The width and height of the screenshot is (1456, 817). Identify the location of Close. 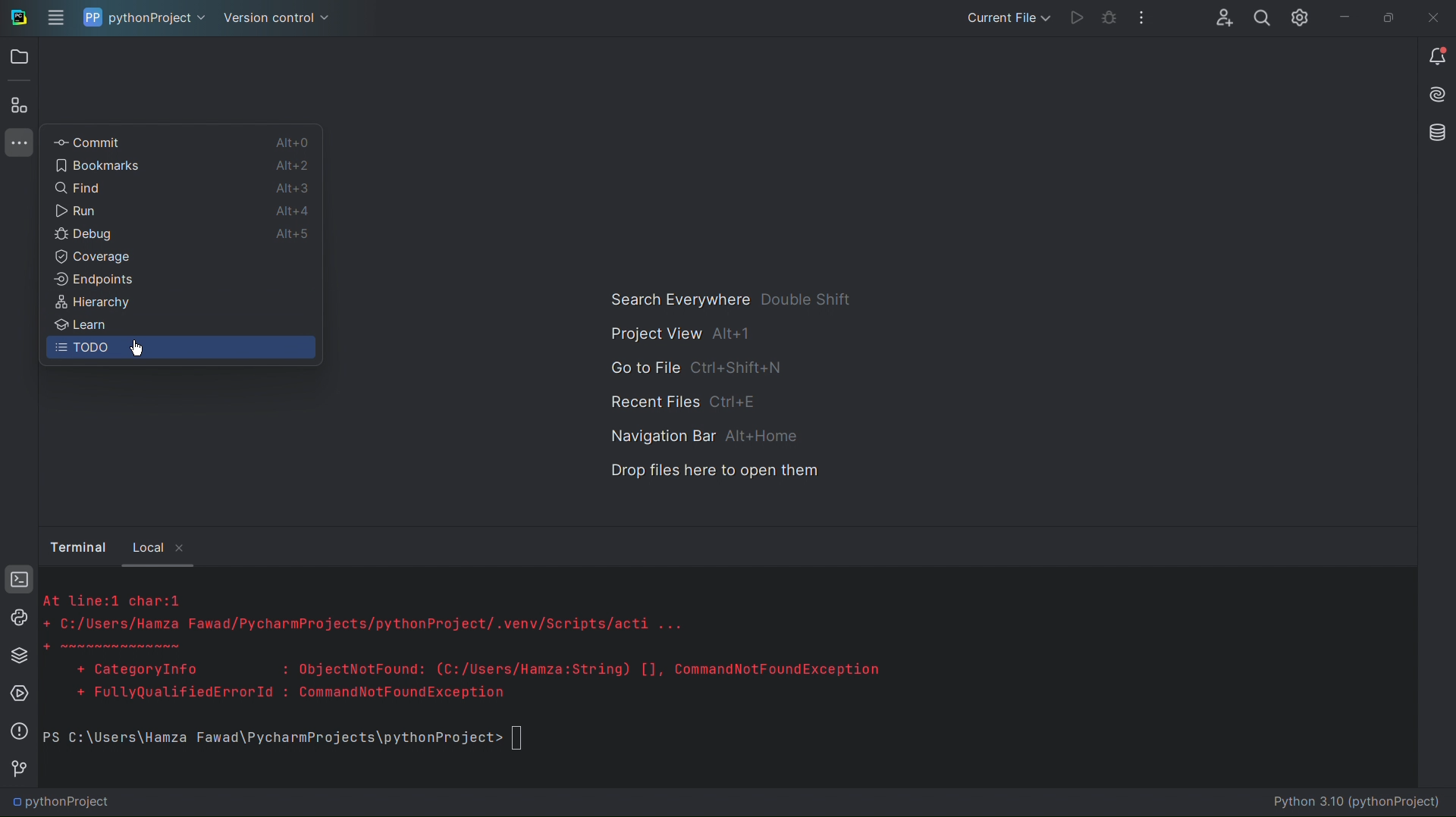
(1434, 14).